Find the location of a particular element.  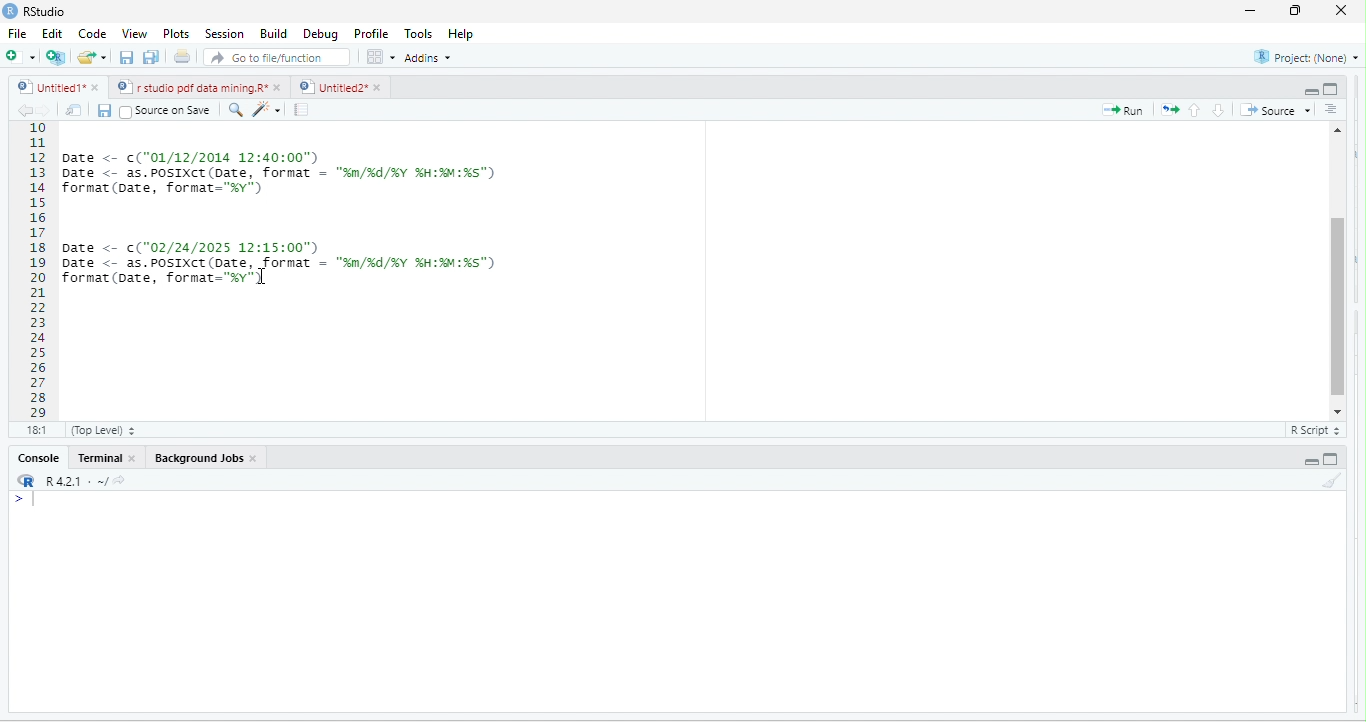

Debug is located at coordinates (320, 36).